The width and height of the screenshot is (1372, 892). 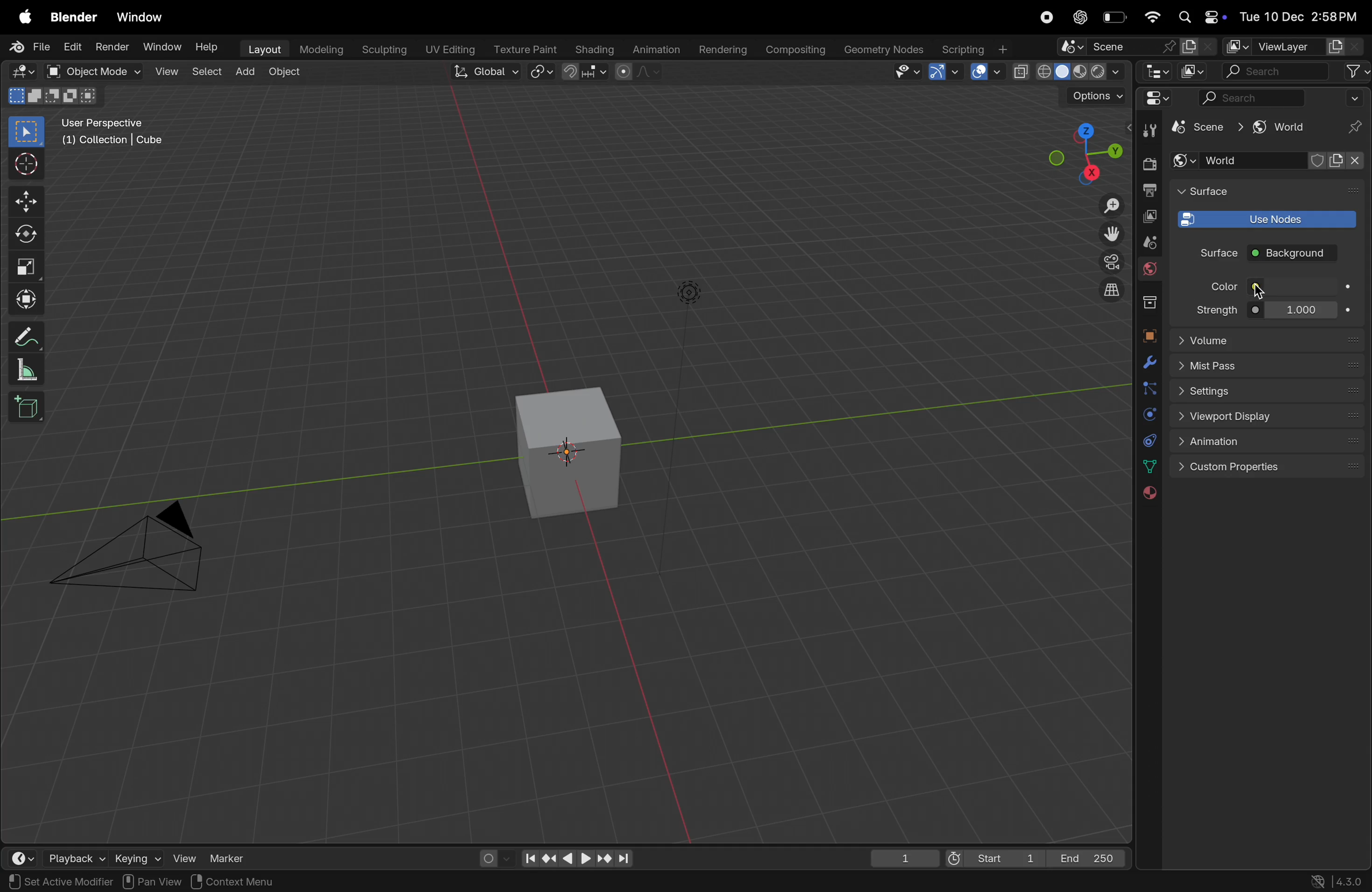 What do you see at coordinates (1154, 98) in the screenshot?
I see `editor type` at bounding box center [1154, 98].